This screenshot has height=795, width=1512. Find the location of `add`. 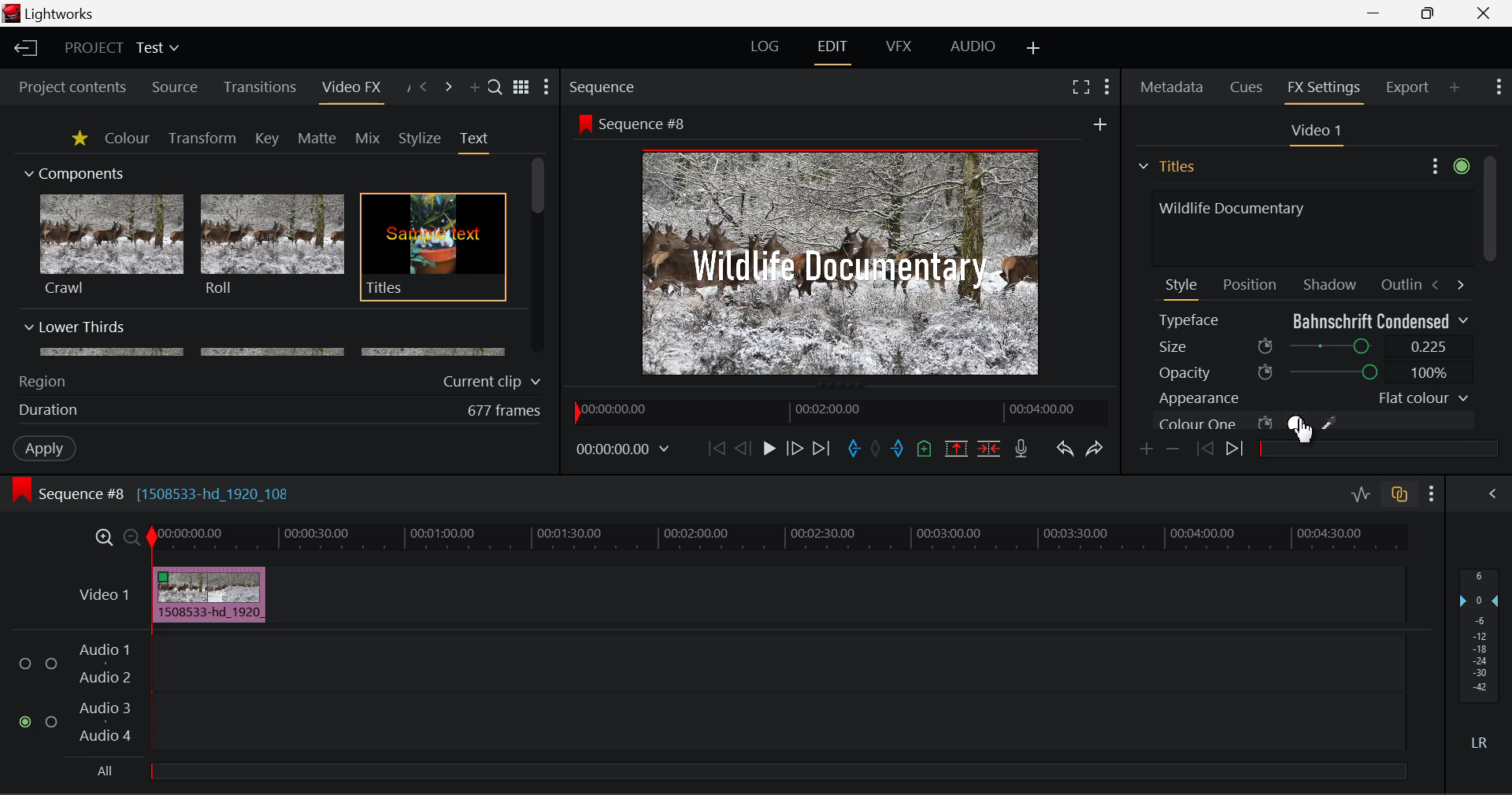

add is located at coordinates (1100, 124).